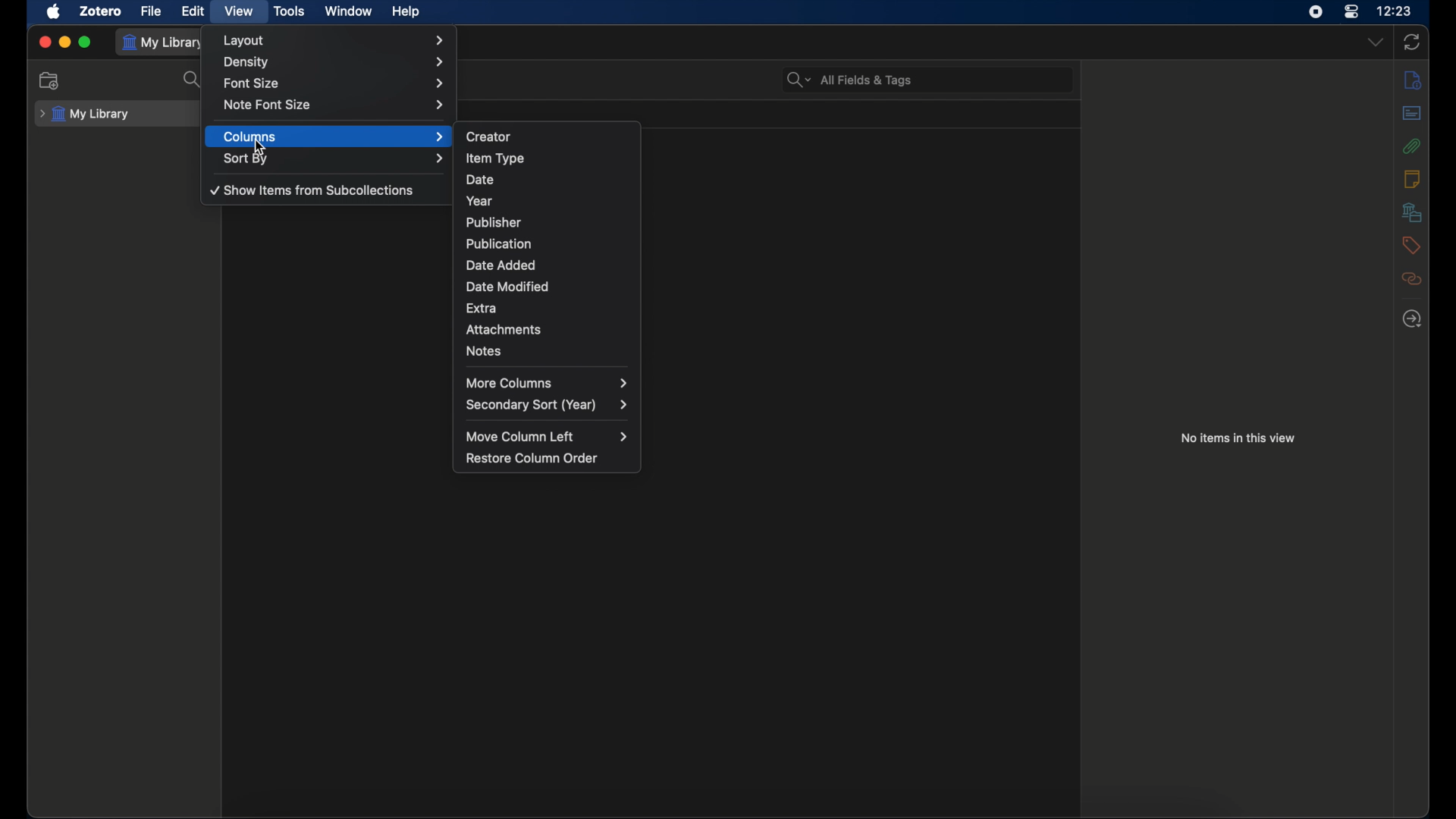 The image size is (1456, 819). I want to click on cursor, so click(261, 148).